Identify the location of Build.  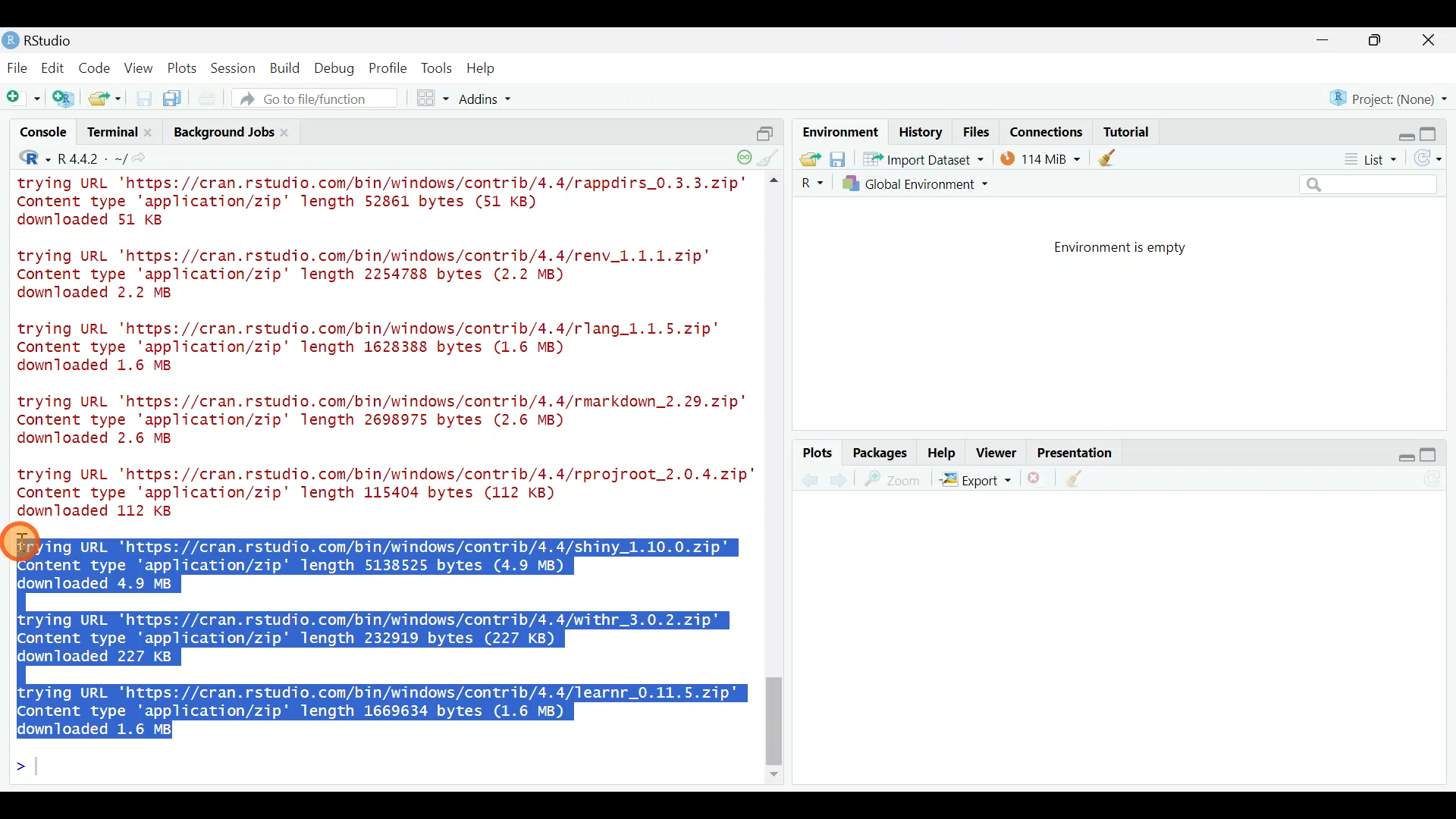
(286, 67).